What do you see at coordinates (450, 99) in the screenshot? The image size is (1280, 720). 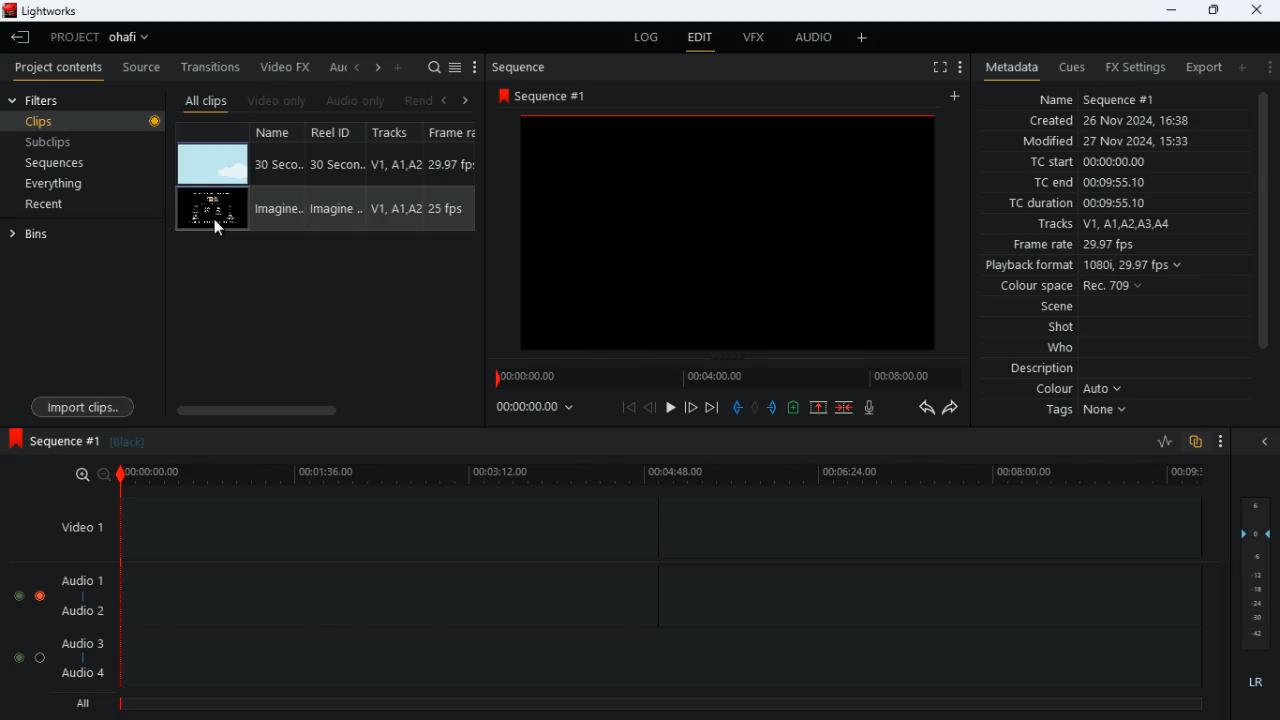 I see `left` at bounding box center [450, 99].